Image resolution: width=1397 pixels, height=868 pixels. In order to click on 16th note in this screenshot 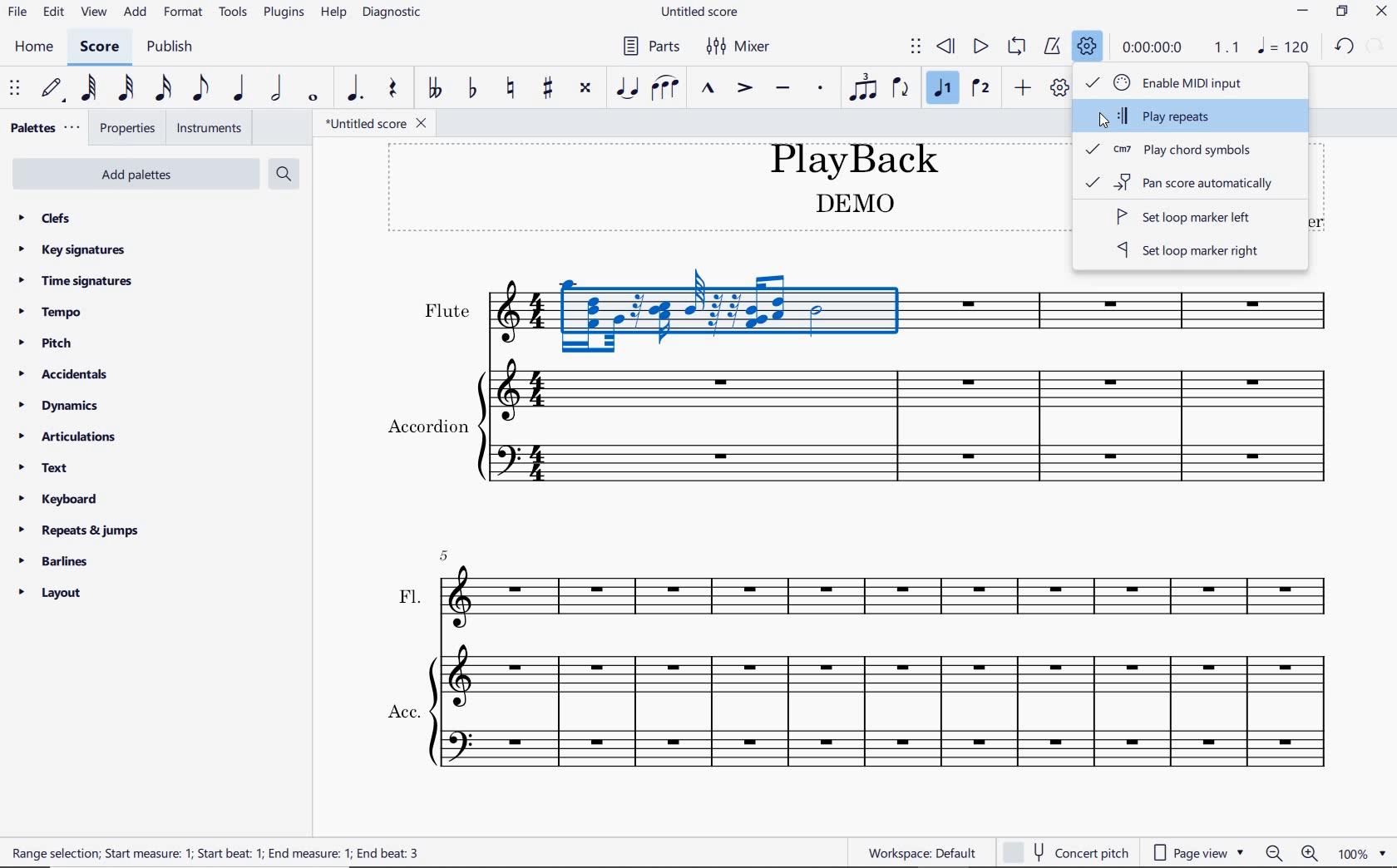, I will do `click(164, 91)`.